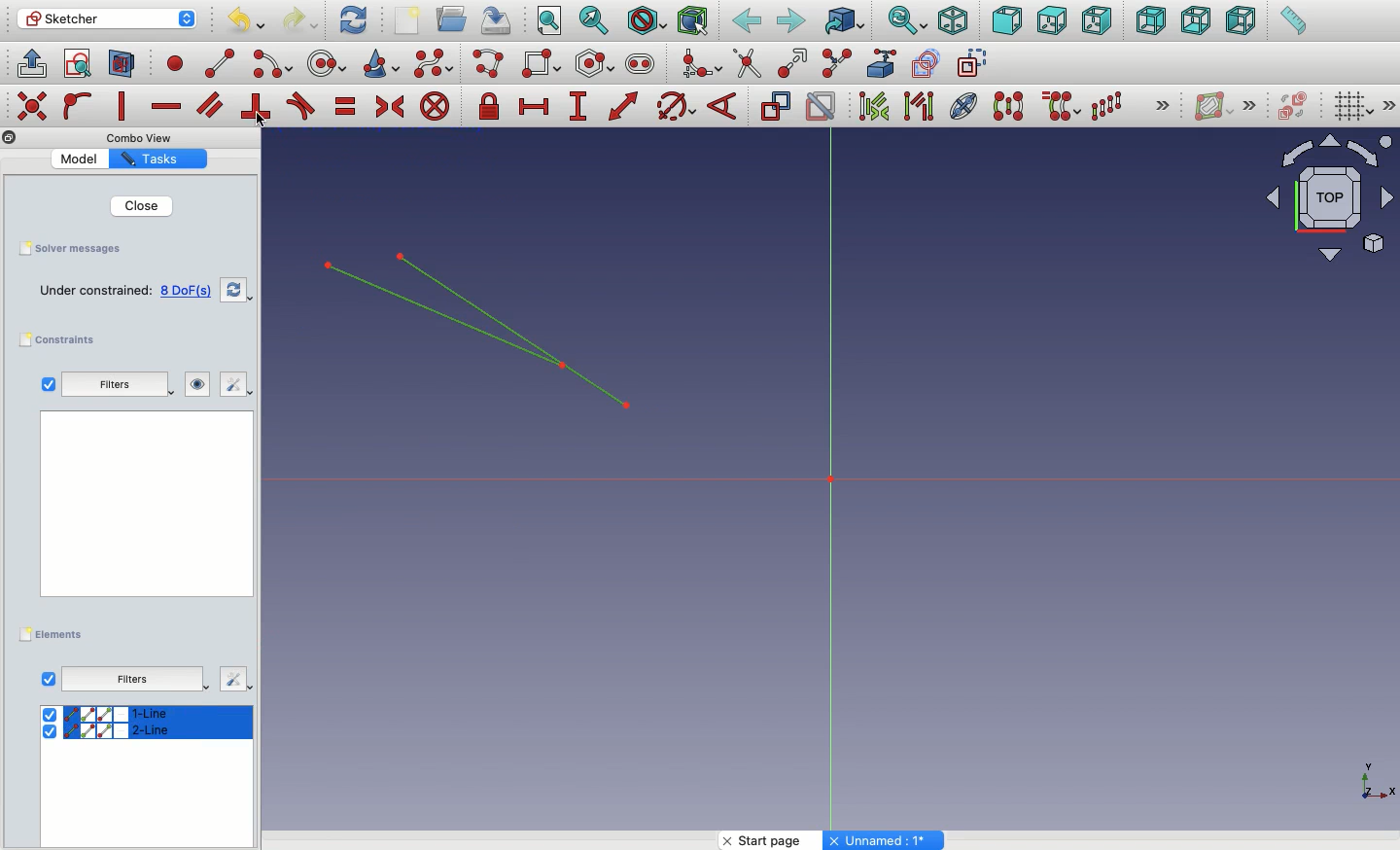 The width and height of the screenshot is (1400, 850). I want to click on View section, so click(122, 65).